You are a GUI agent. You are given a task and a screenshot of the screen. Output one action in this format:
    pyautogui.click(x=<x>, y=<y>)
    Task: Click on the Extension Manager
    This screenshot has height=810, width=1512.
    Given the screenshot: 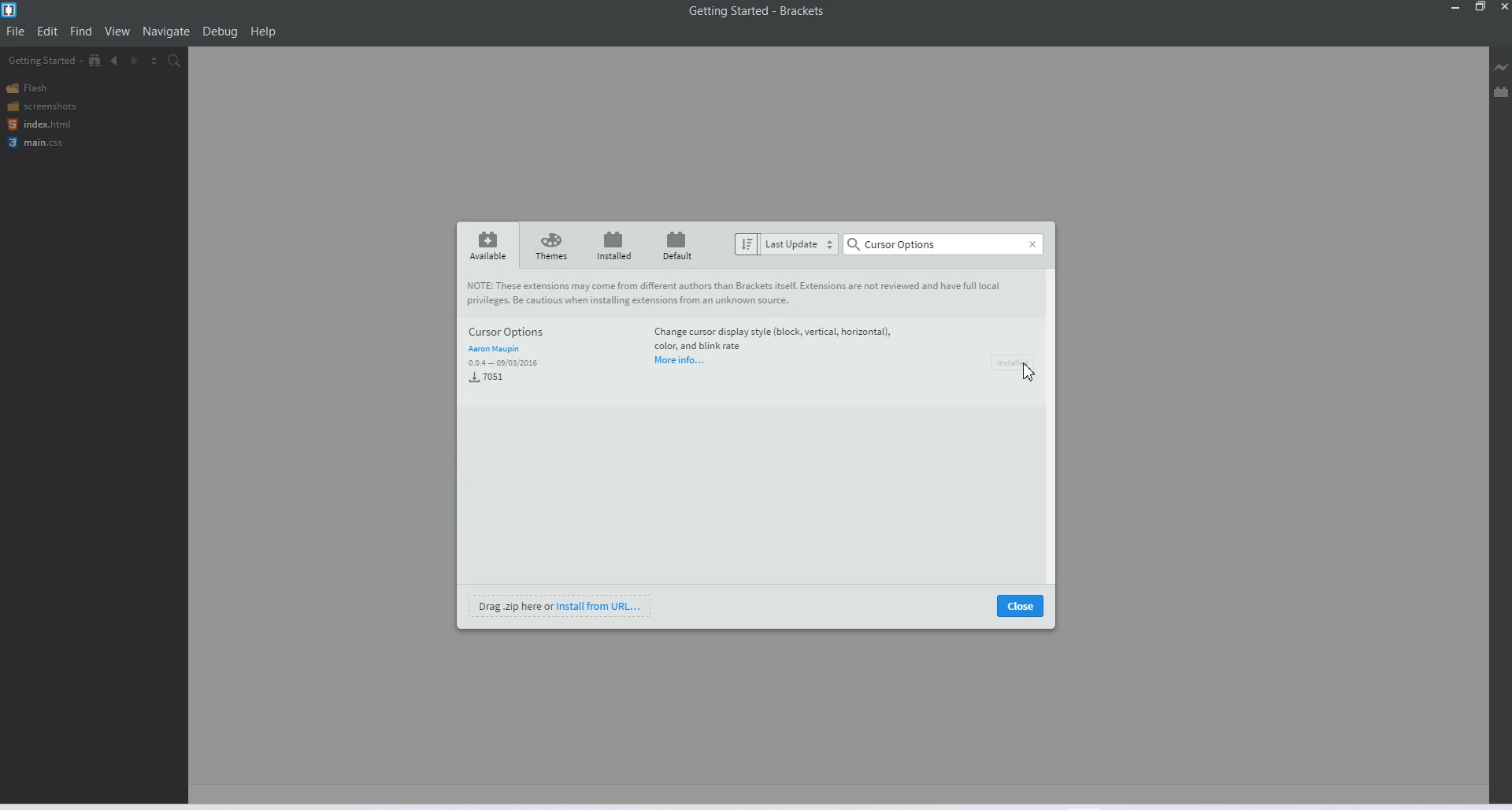 What is the action you would take?
    pyautogui.click(x=1502, y=91)
    